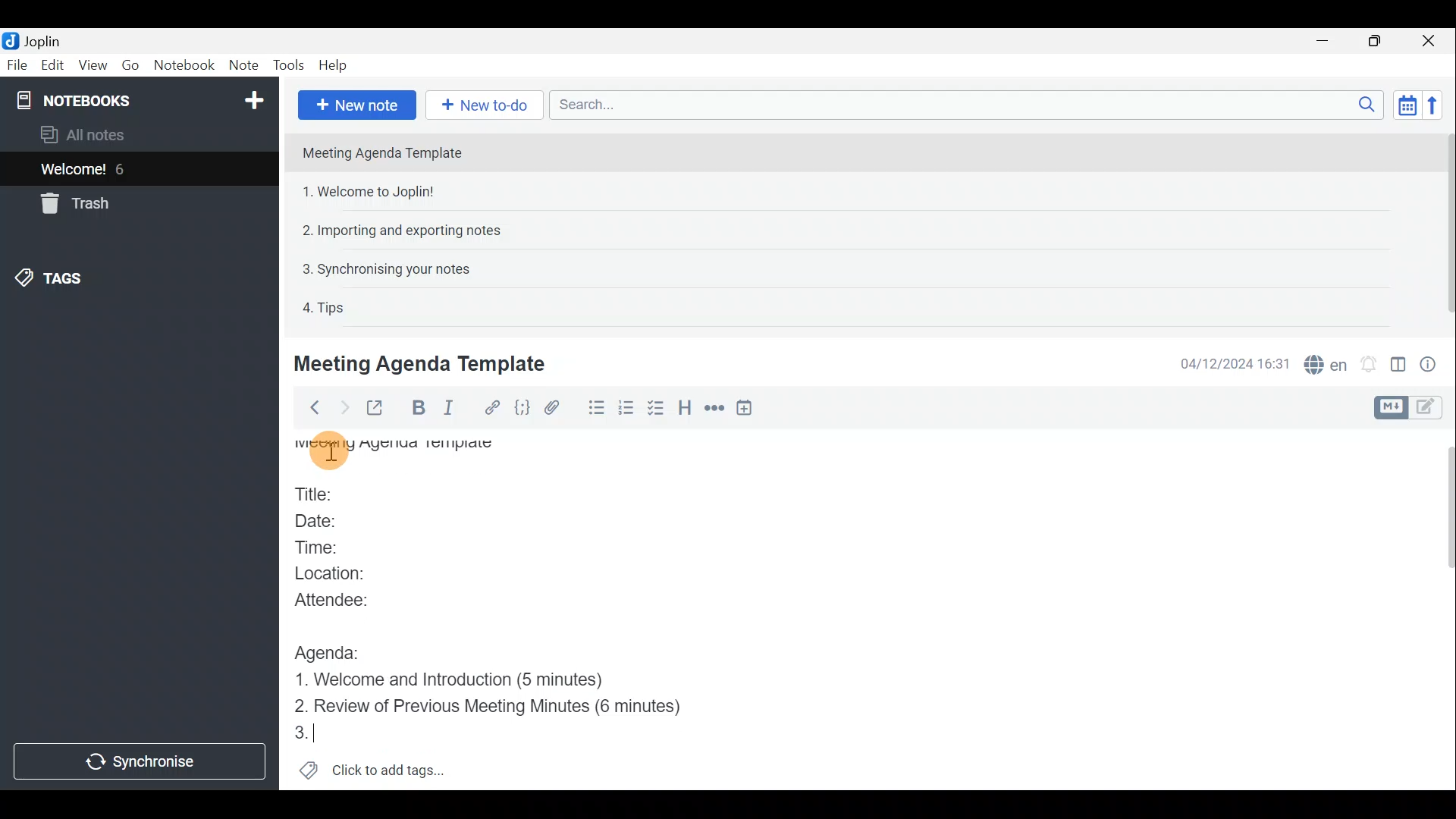 Image resolution: width=1456 pixels, height=819 pixels. I want to click on New to-do, so click(481, 105).